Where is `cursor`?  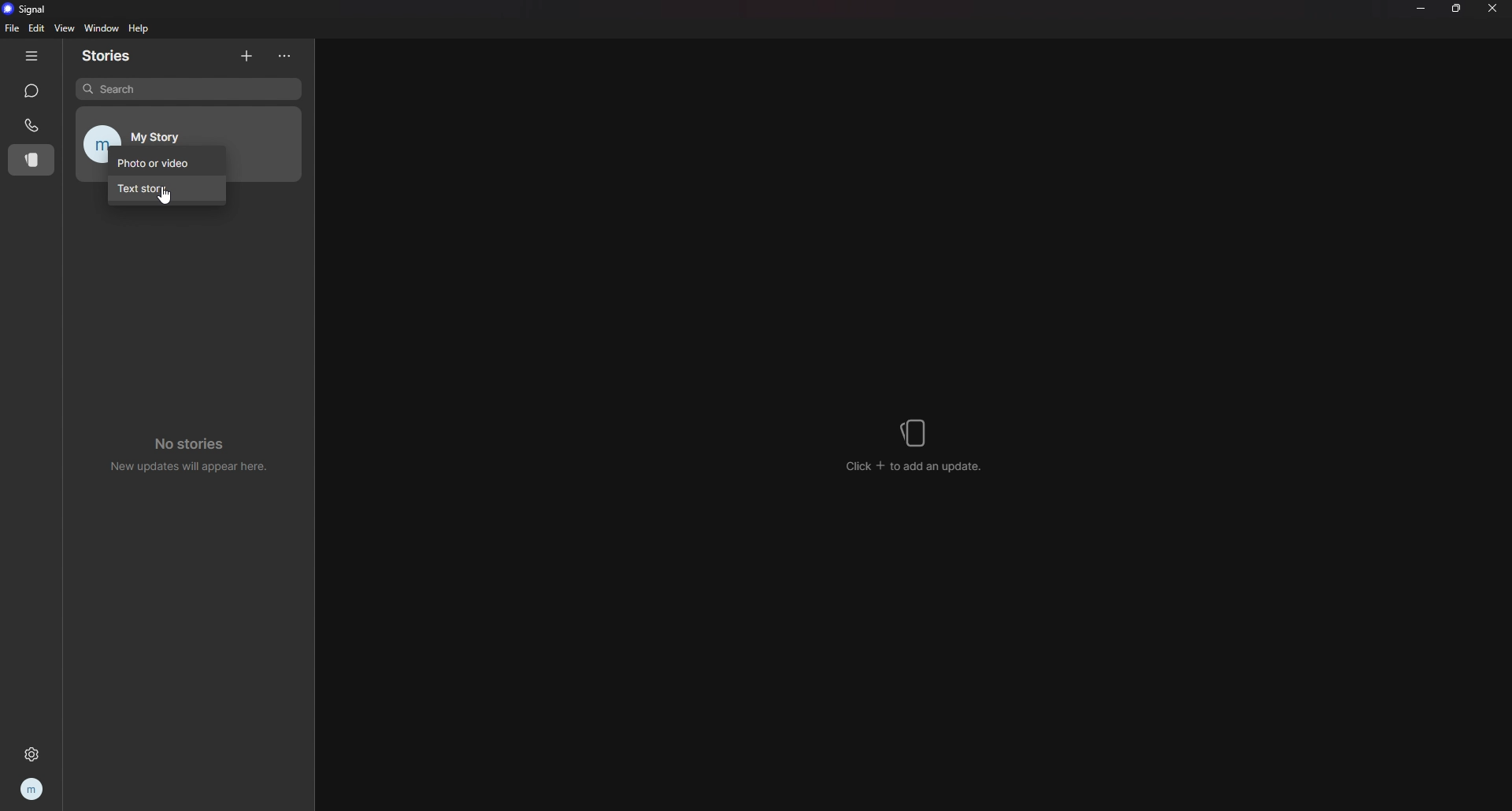
cursor is located at coordinates (164, 198).